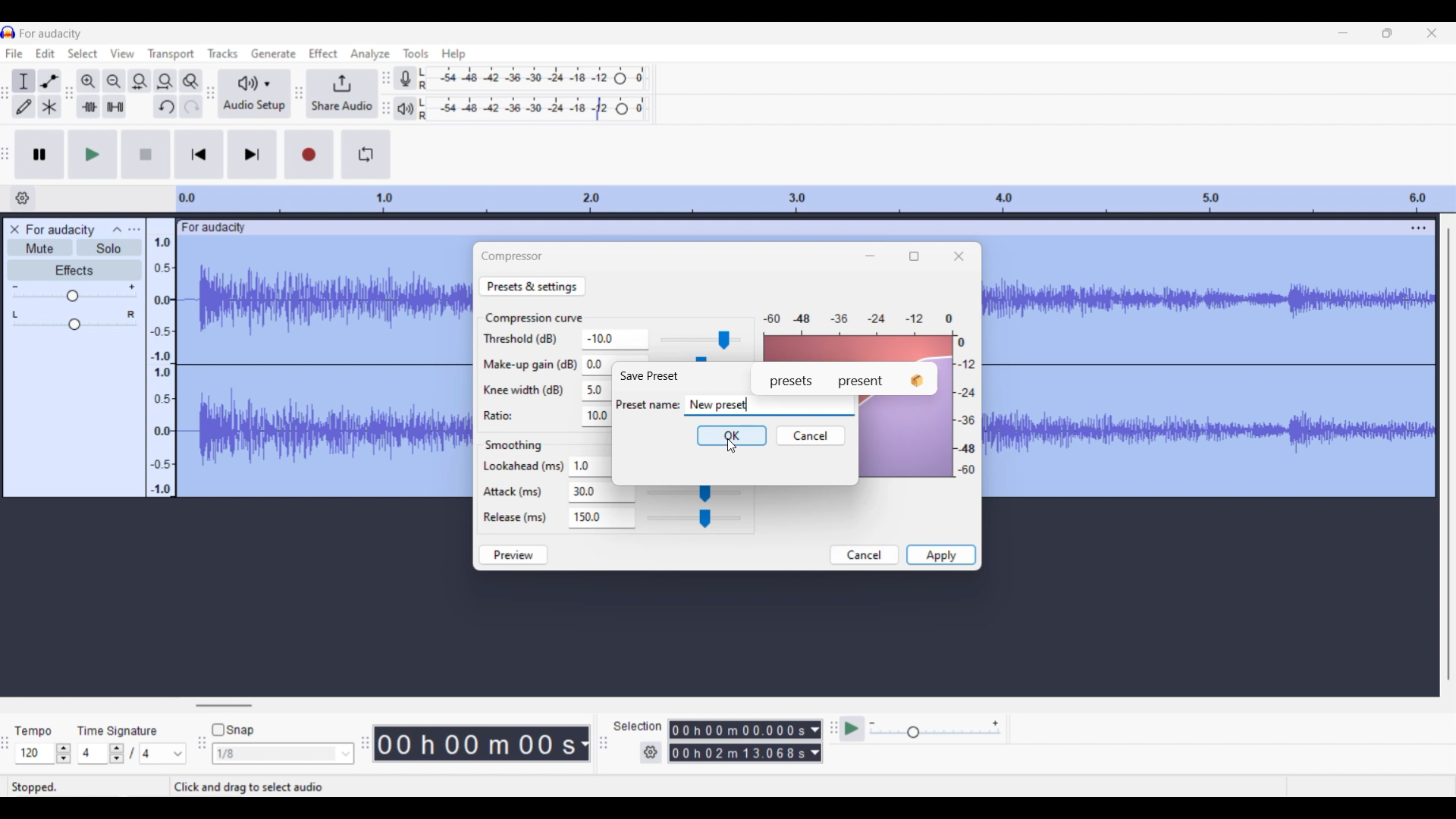  Describe the element at coordinates (583, 744) in the screenshot. I see `Duration measurement` at that location.